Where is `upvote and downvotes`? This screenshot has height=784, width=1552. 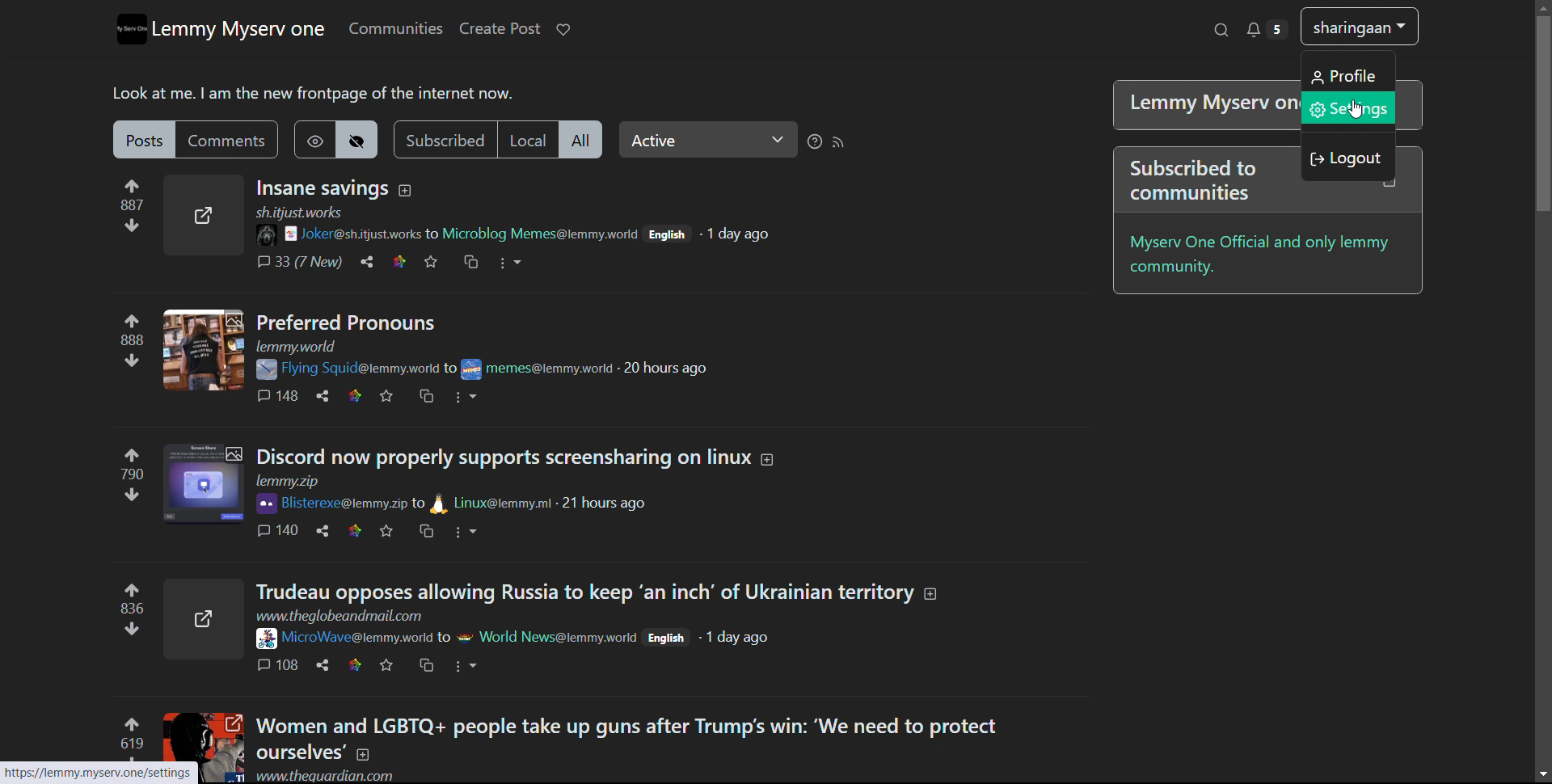 upvote and downvotes is located at coordinates (132, 474).